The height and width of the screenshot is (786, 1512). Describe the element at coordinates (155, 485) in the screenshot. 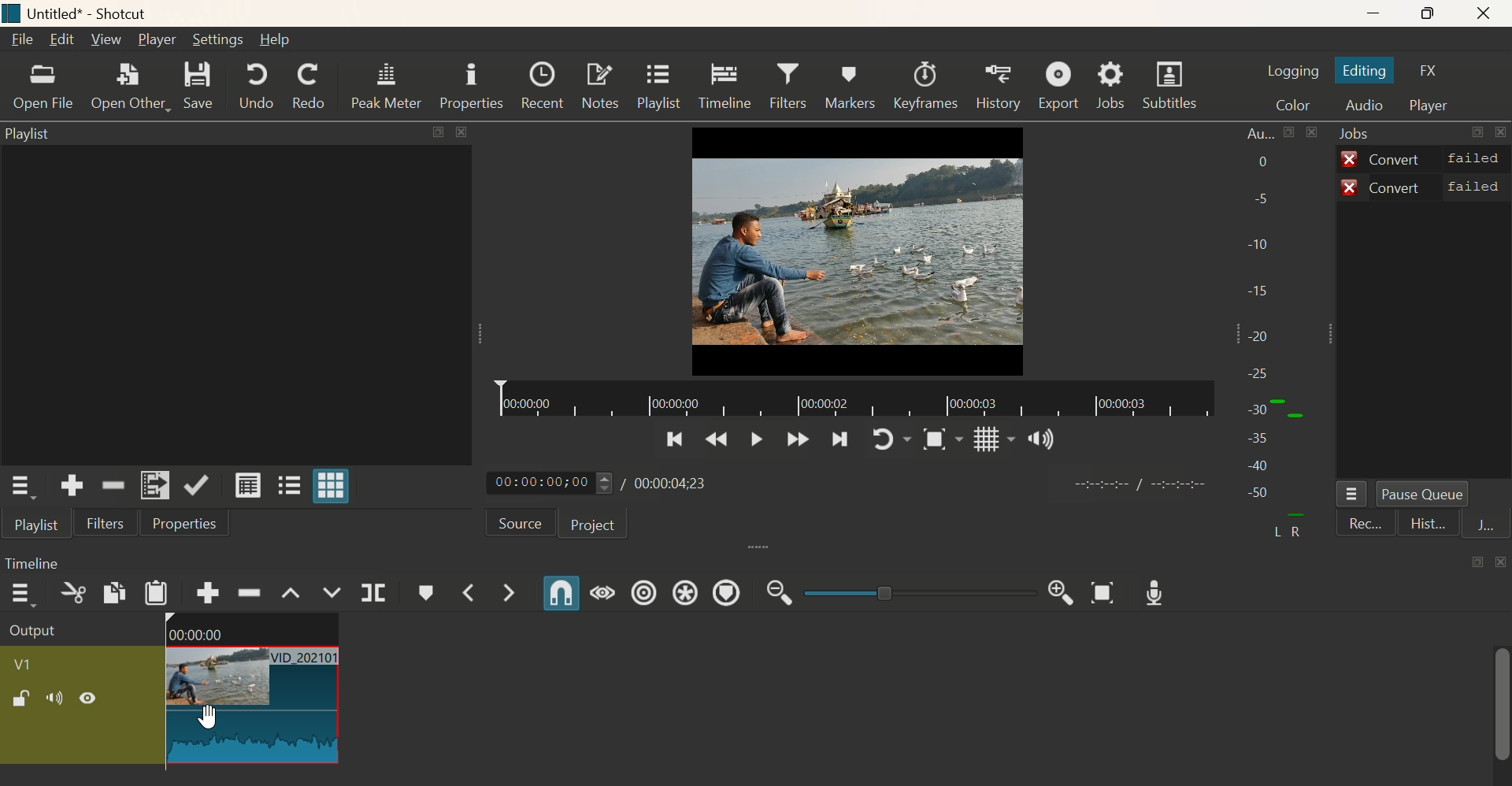

I see `Add to Playlist` at that location.